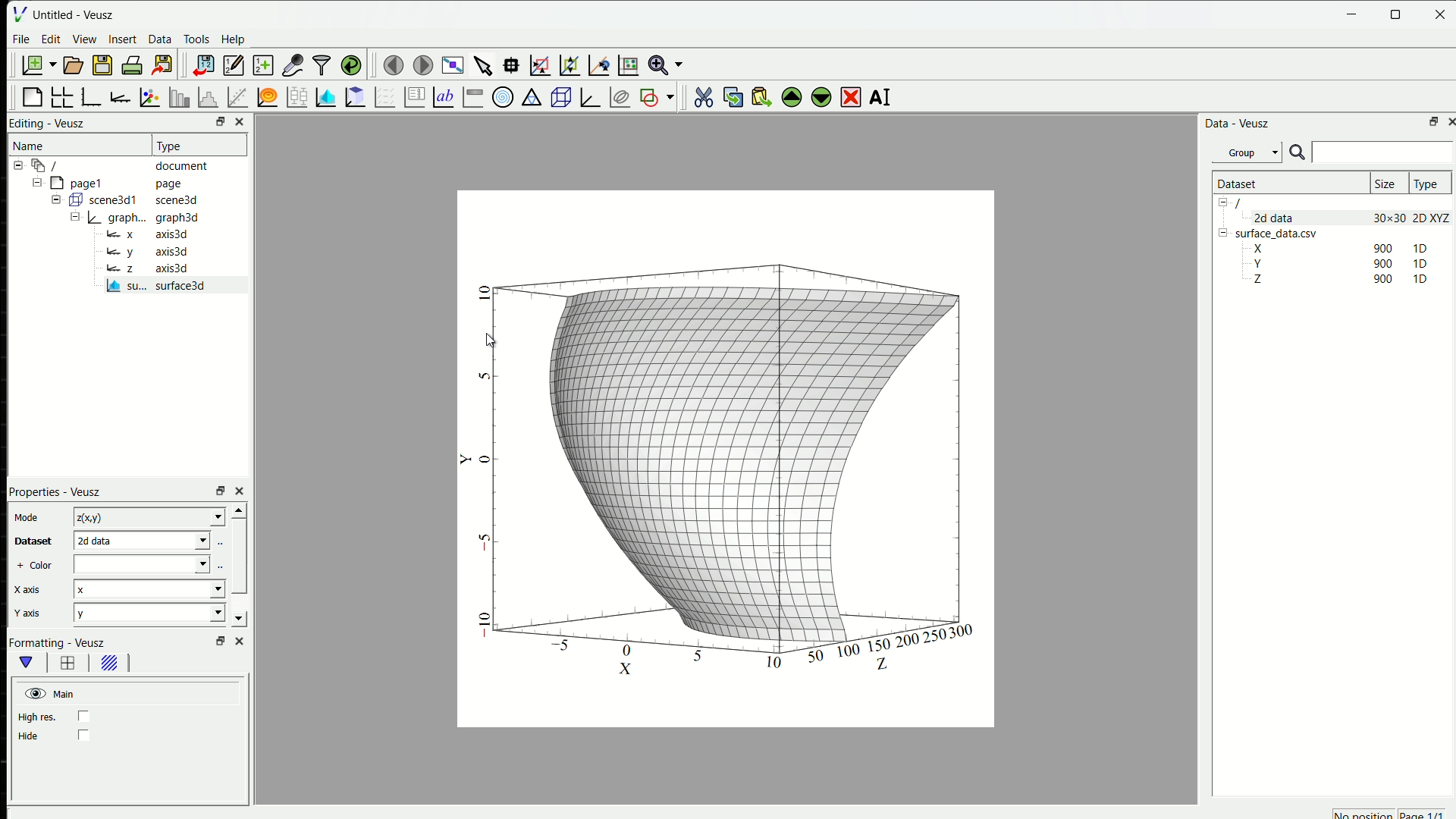  What do you see at coordinates (171, 235) in the screenshot?
I see `axis3d` at bounding box center [171, 235].